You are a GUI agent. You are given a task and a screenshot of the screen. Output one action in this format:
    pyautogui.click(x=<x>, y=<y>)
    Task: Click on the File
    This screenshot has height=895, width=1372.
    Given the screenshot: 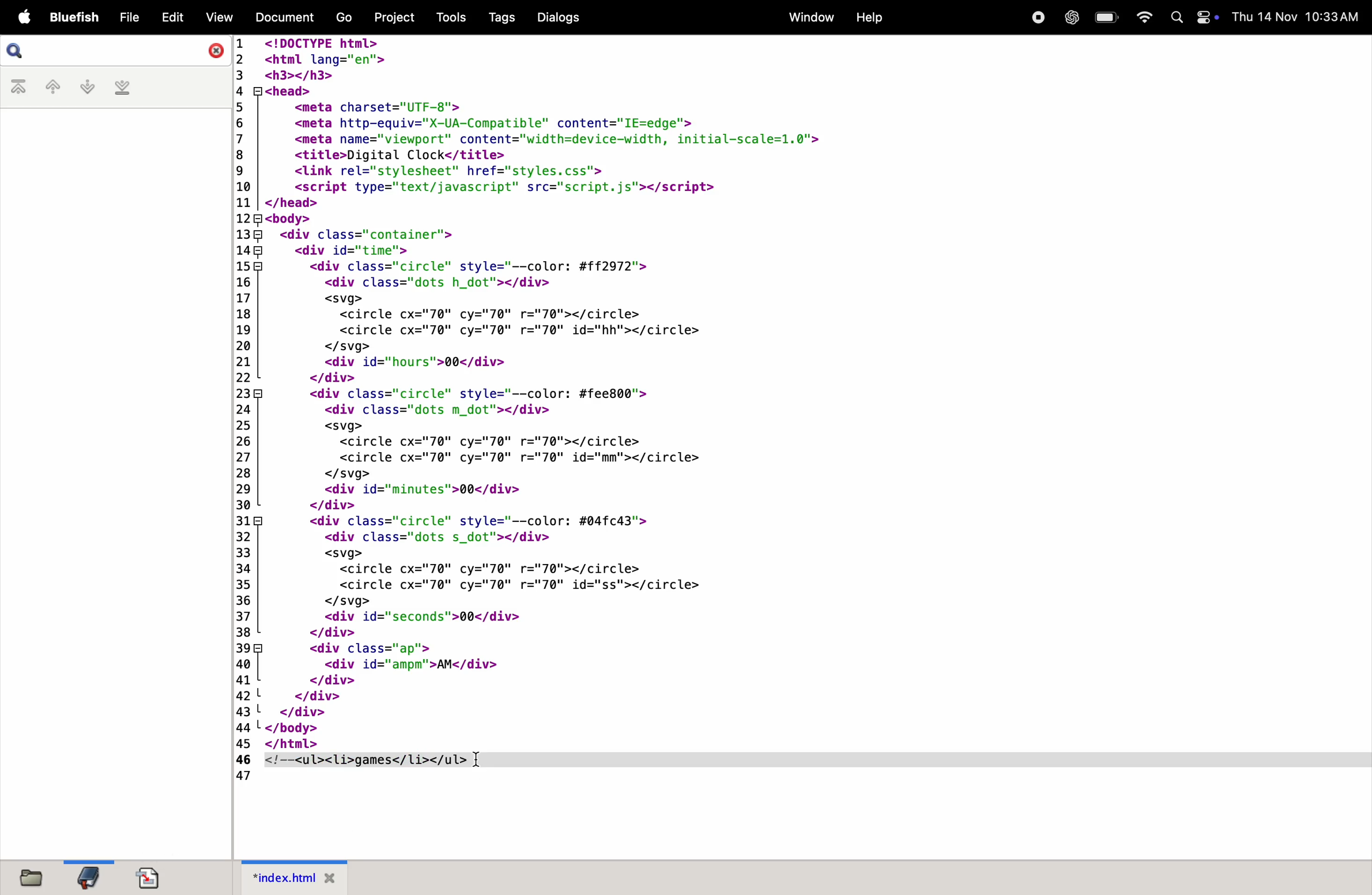 What is the action you would take?
    pyautogui.click(x=130, y=17)
    